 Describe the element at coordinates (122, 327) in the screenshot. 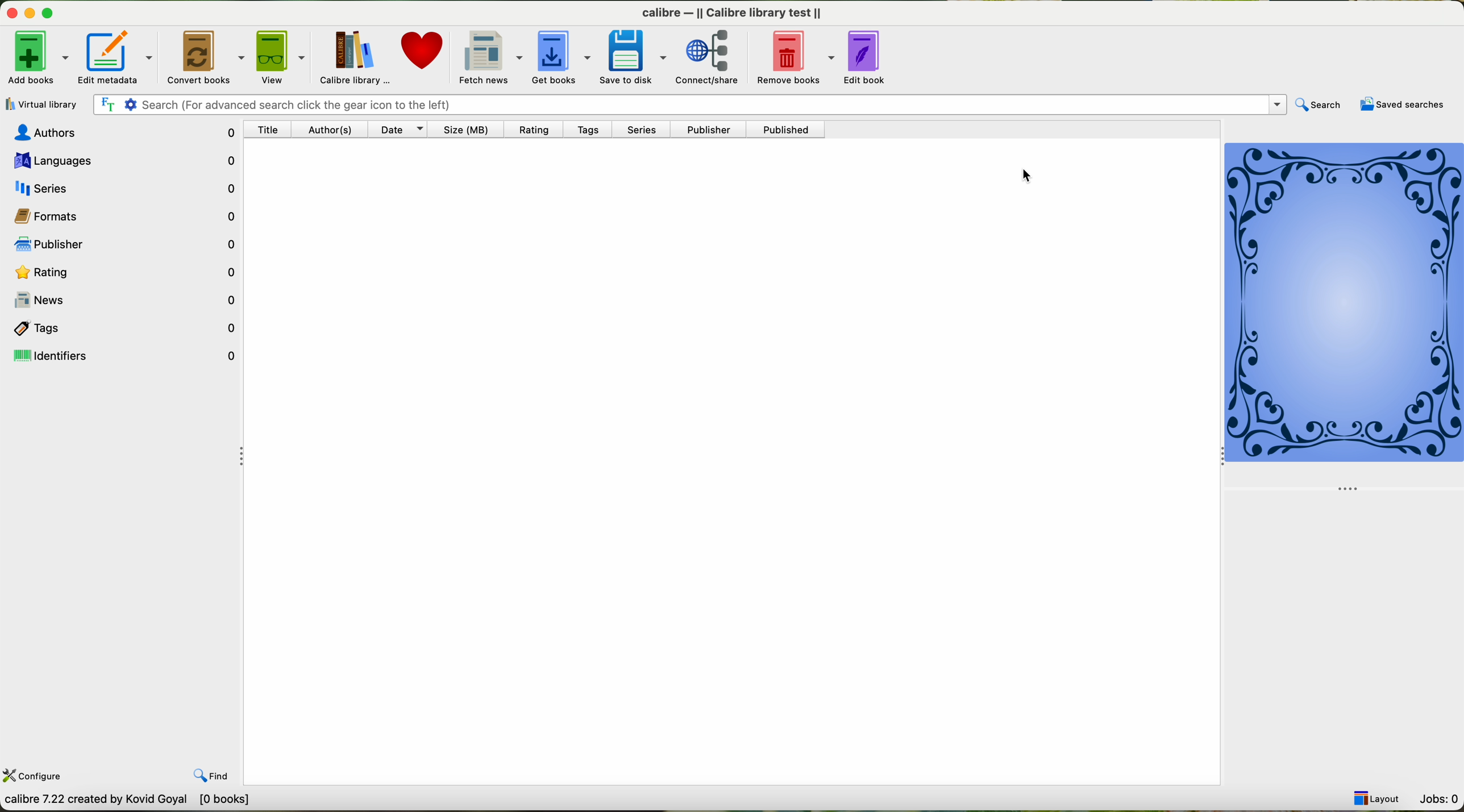

I see `tags` at that location.